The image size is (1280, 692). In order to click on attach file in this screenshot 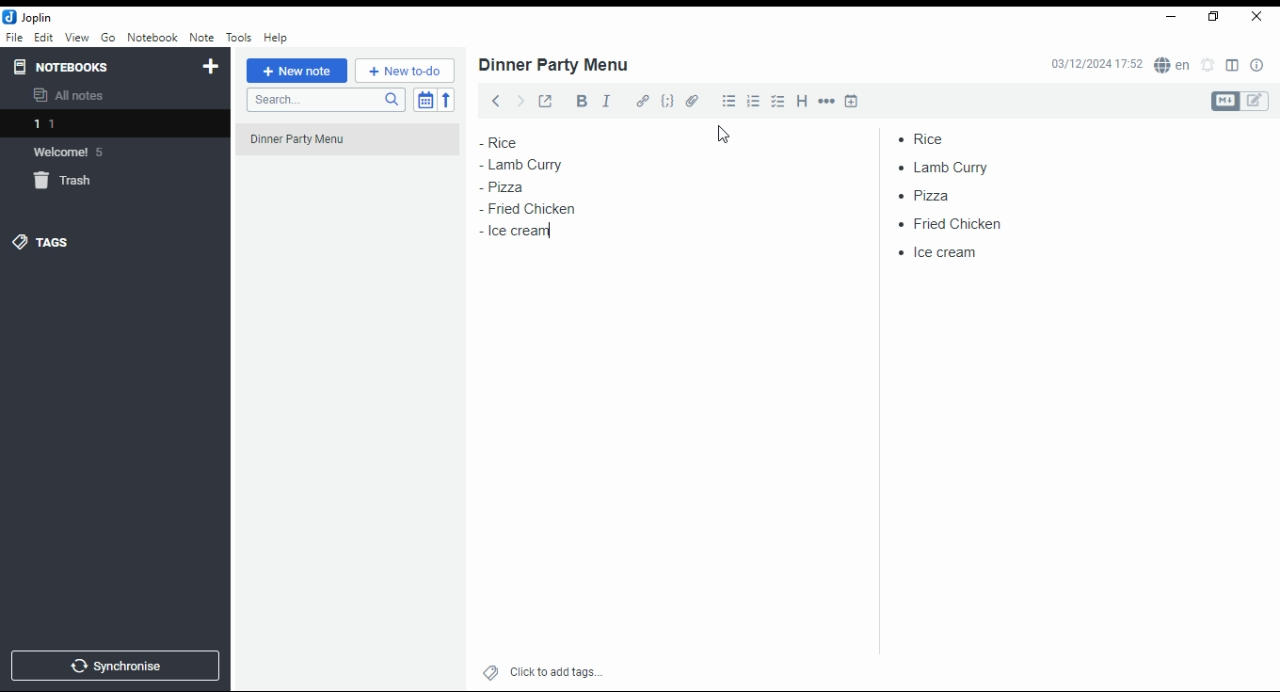, I will do `click(695, 100)`.